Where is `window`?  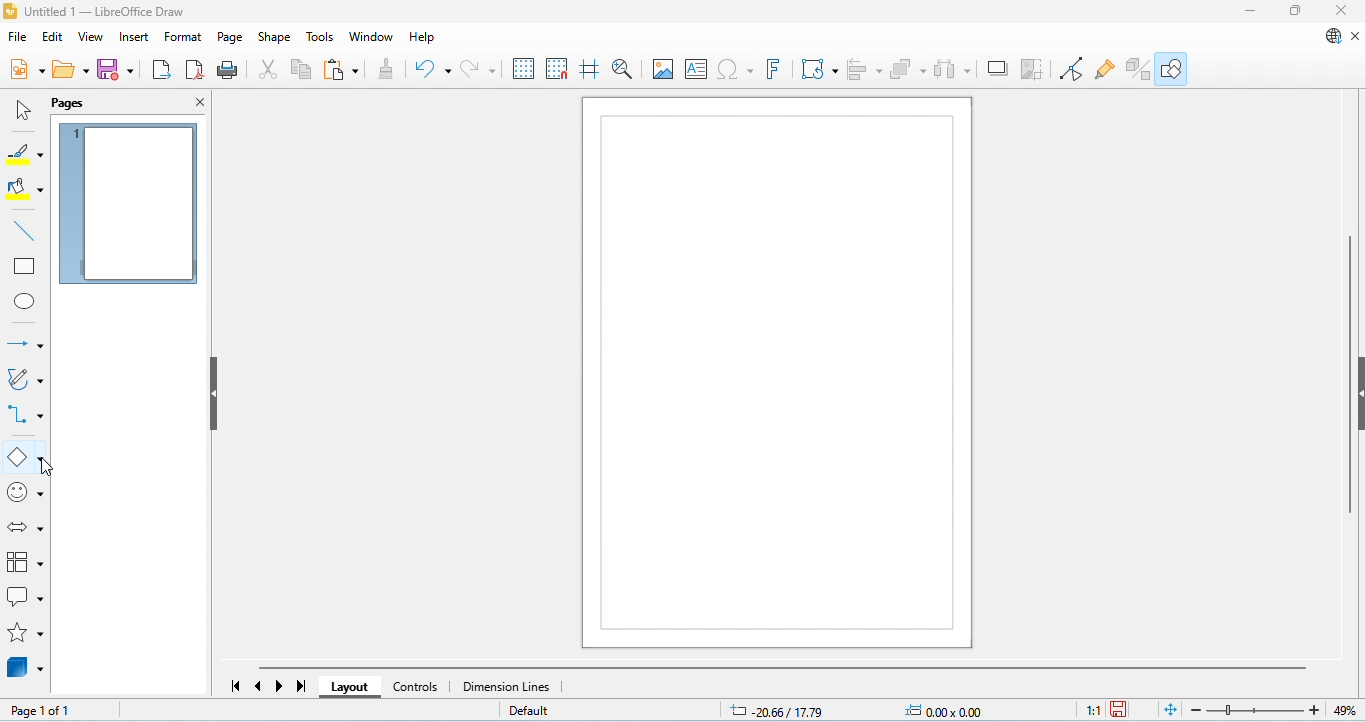 window is located at coordinates (371, 36).